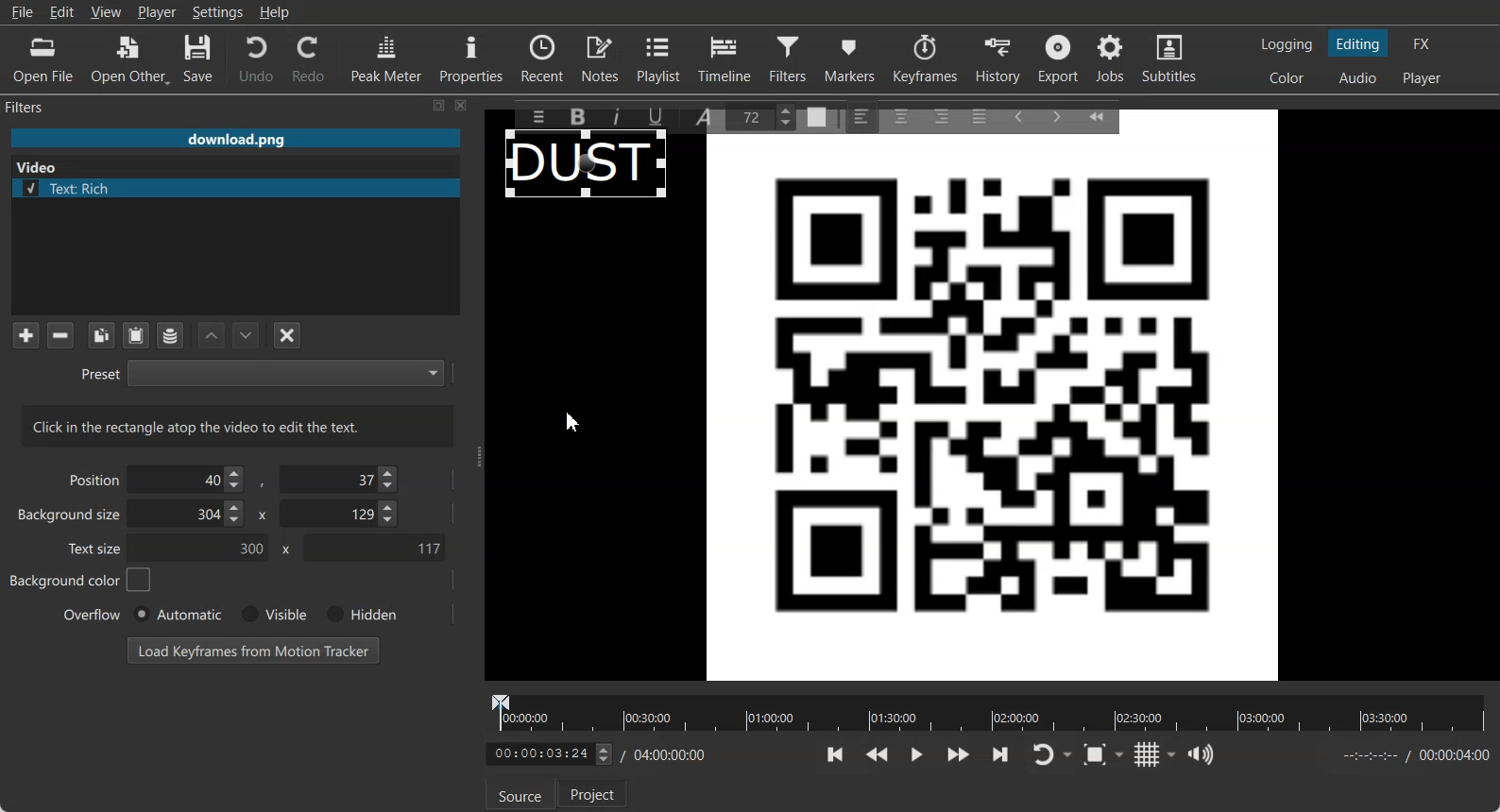 The height and width of the screenshot is (812, 1500). Describe the element at coordinates (158, 12) in the screenshot. I see `Player` at that location.